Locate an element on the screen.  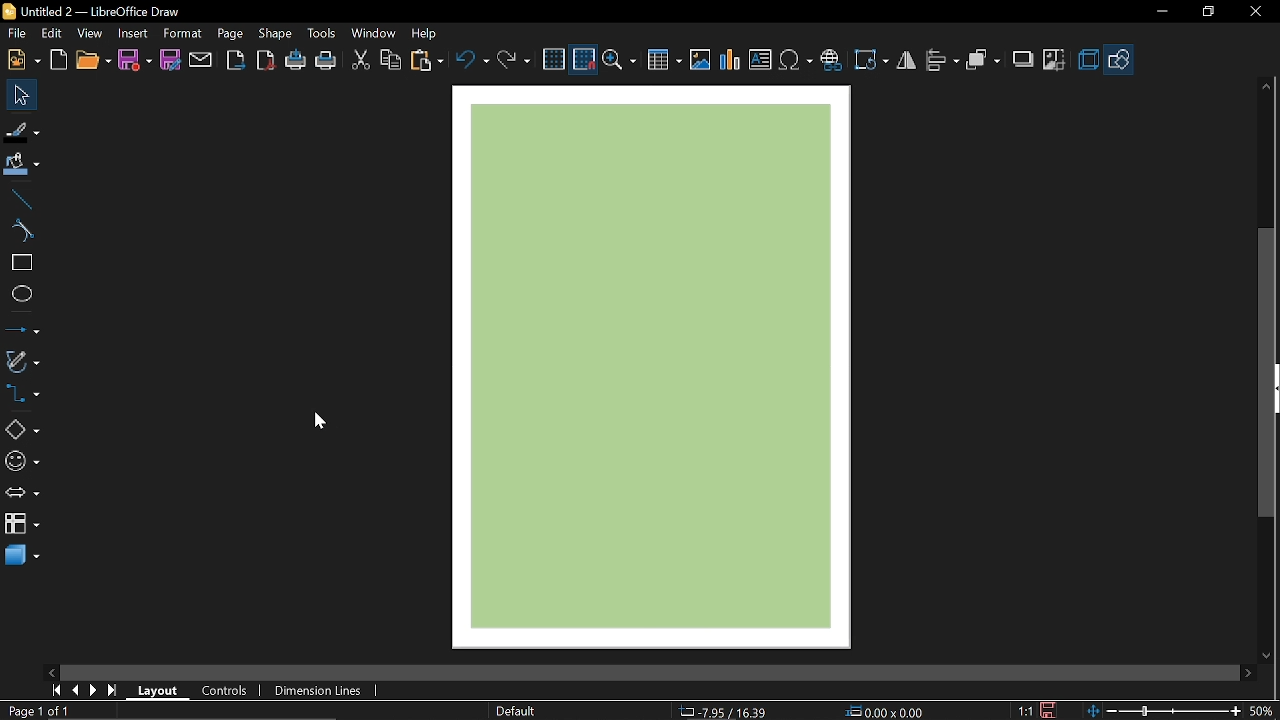
Dimension lines is located at coordinates (314, 688).